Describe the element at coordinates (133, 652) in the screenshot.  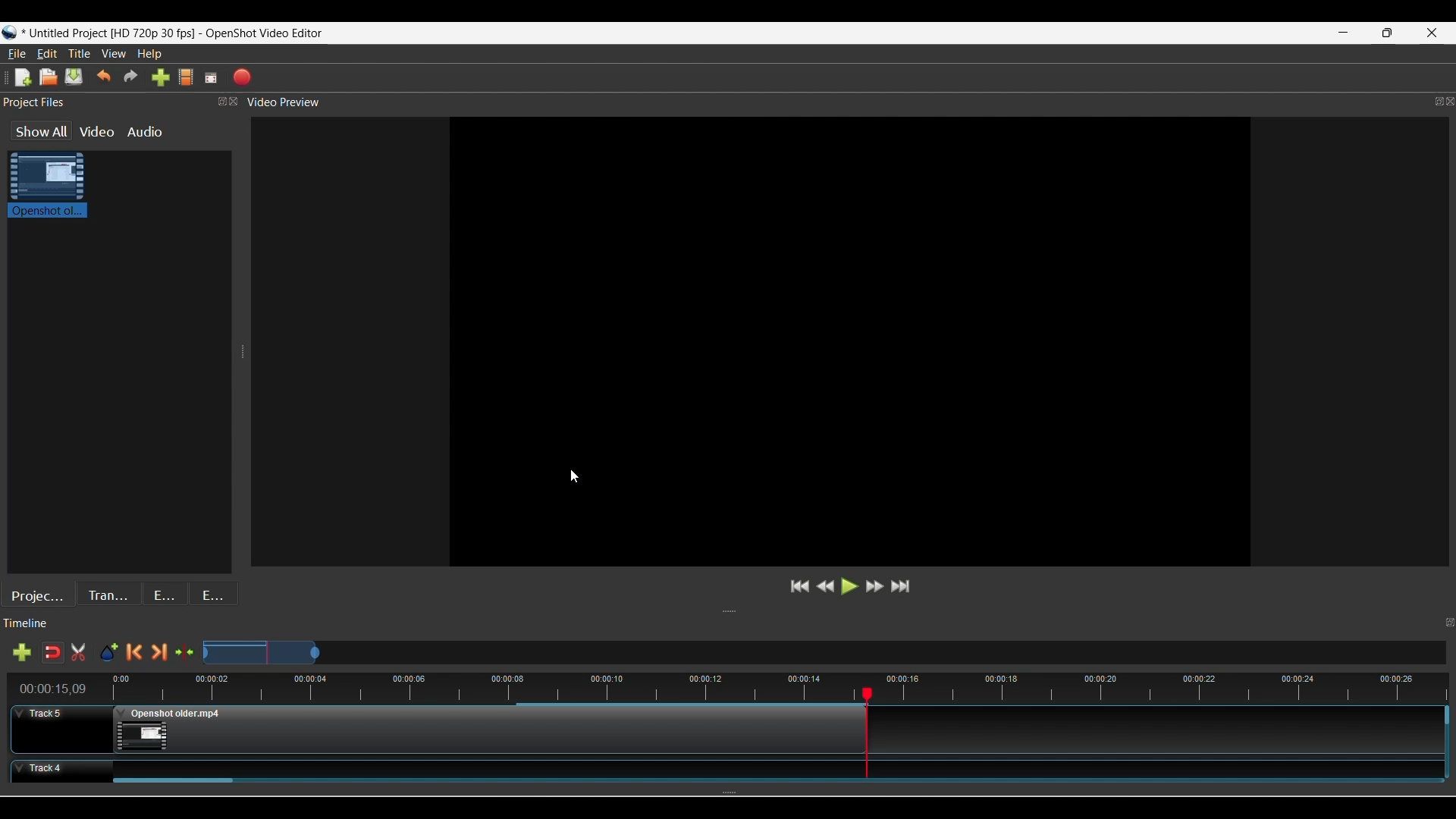
I see `Previous marker` at that location.